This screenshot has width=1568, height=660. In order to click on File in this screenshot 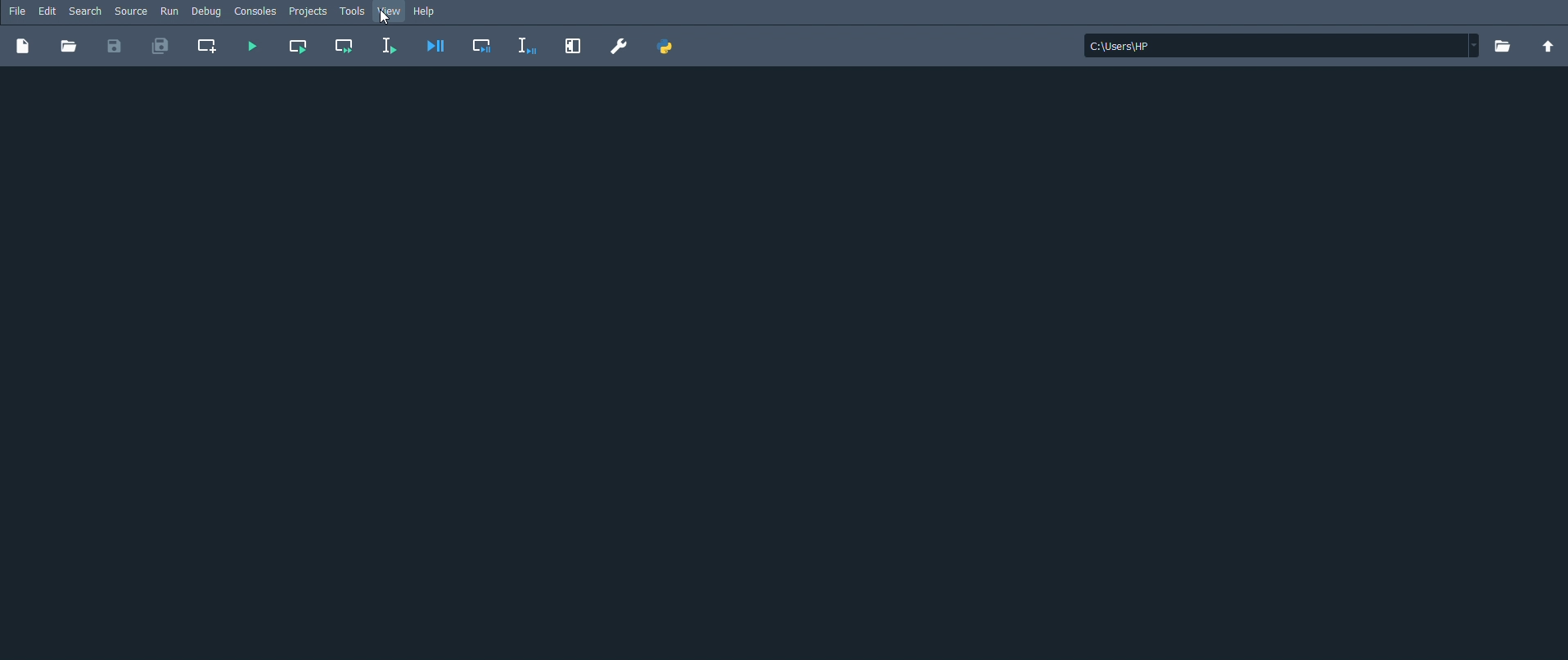, I will do `click(18, 11)`.